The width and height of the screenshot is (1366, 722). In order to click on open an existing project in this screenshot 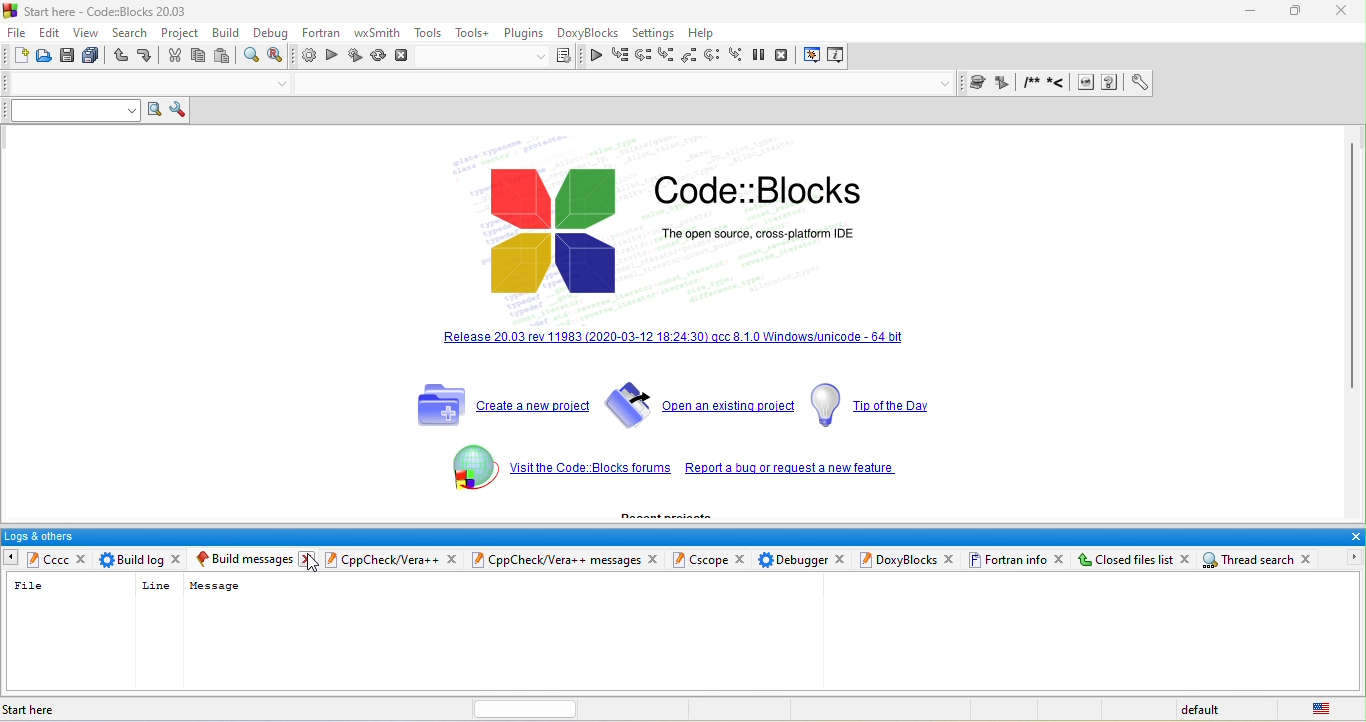, I will do `click(699, 404)`.